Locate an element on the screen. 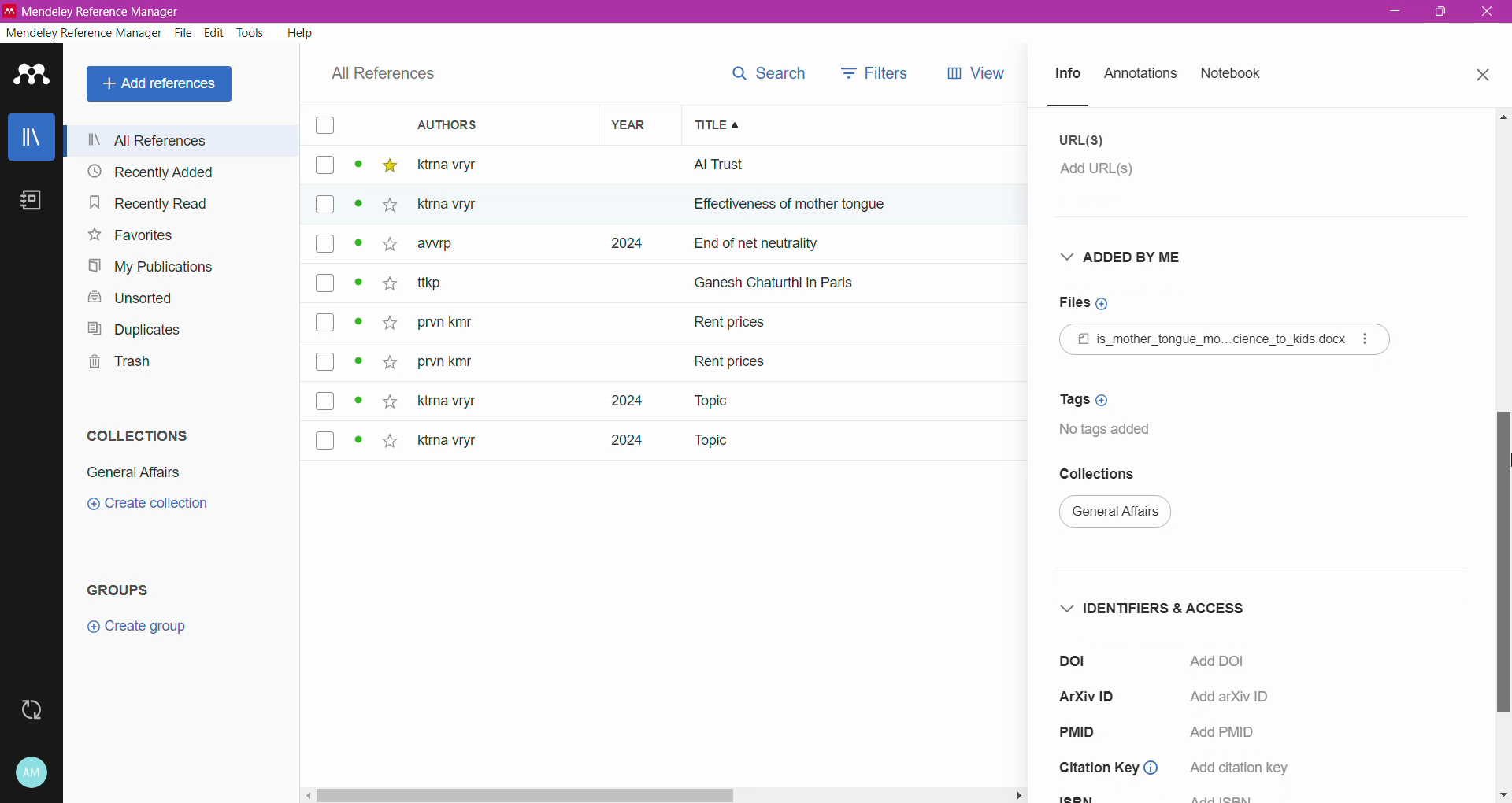 This screenshot has width=1512, height=803. ktma vtyr is located at coordinates (458, 164).